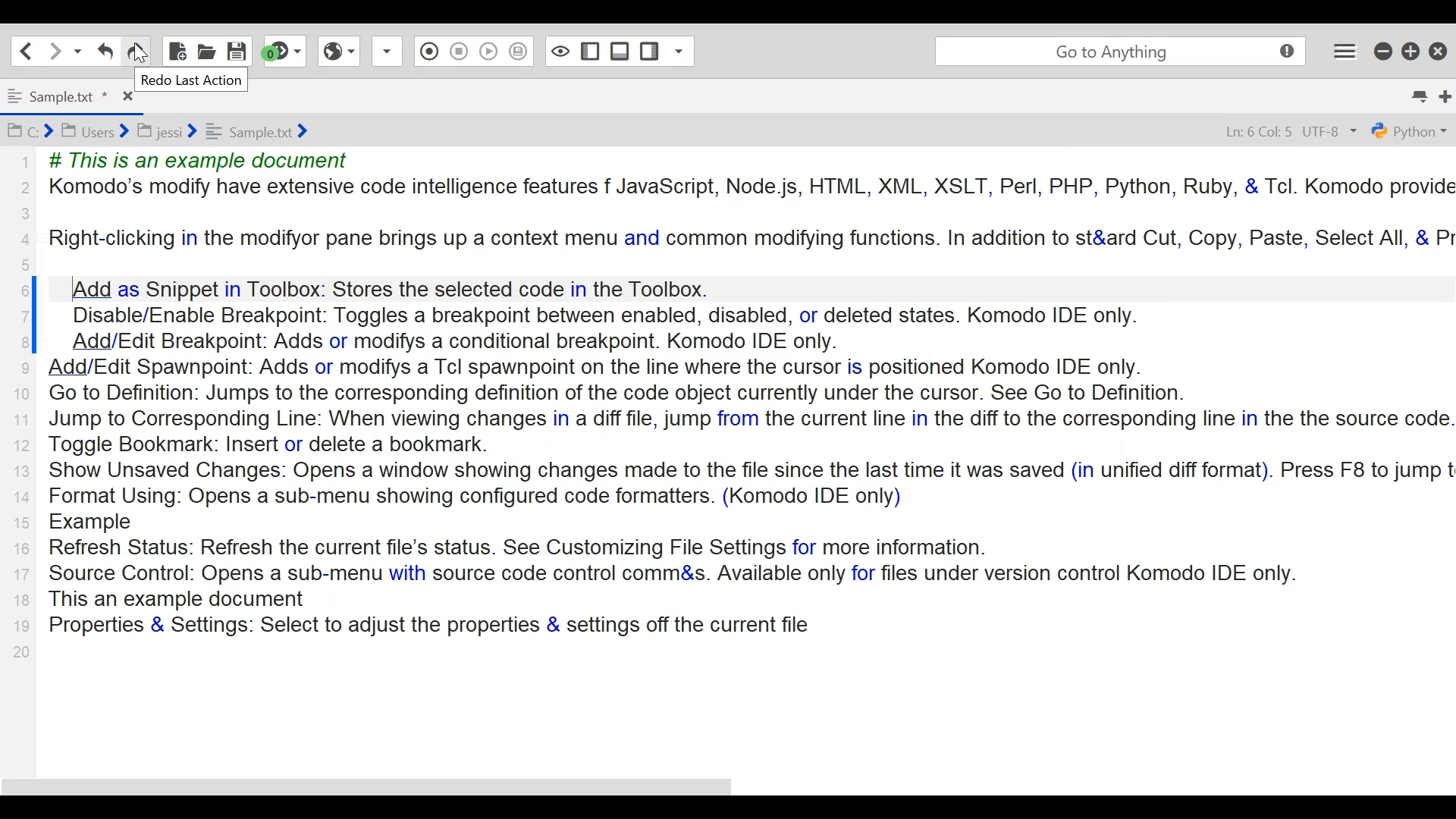 This screenshot has width=1456, height=819. I want to click on Current Tab, so click(57, 99).